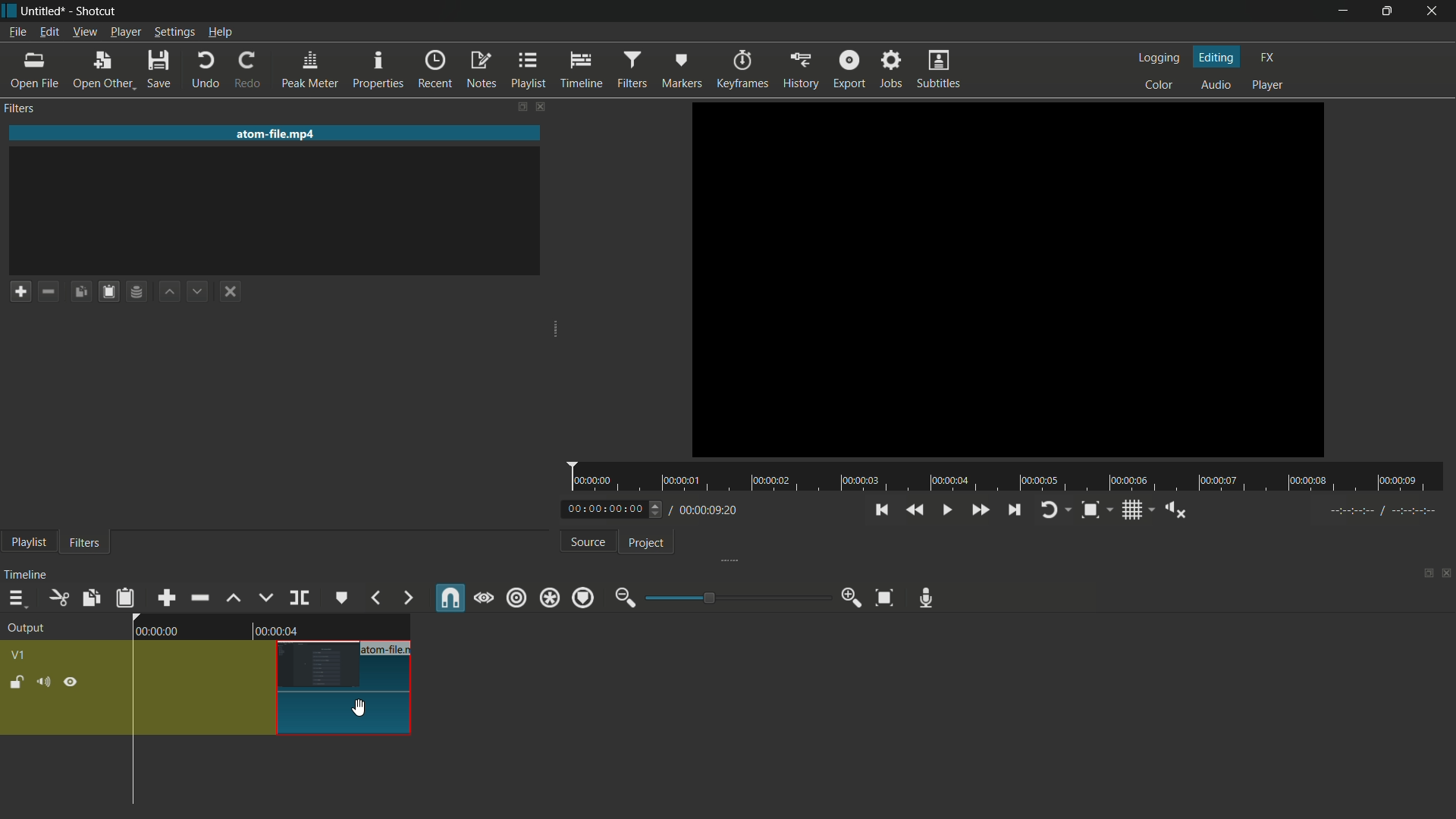 The image size is (1456, 819). Describe the element at coordinates (1176, 510) in the screenshot. I see `show volume control` at that location.